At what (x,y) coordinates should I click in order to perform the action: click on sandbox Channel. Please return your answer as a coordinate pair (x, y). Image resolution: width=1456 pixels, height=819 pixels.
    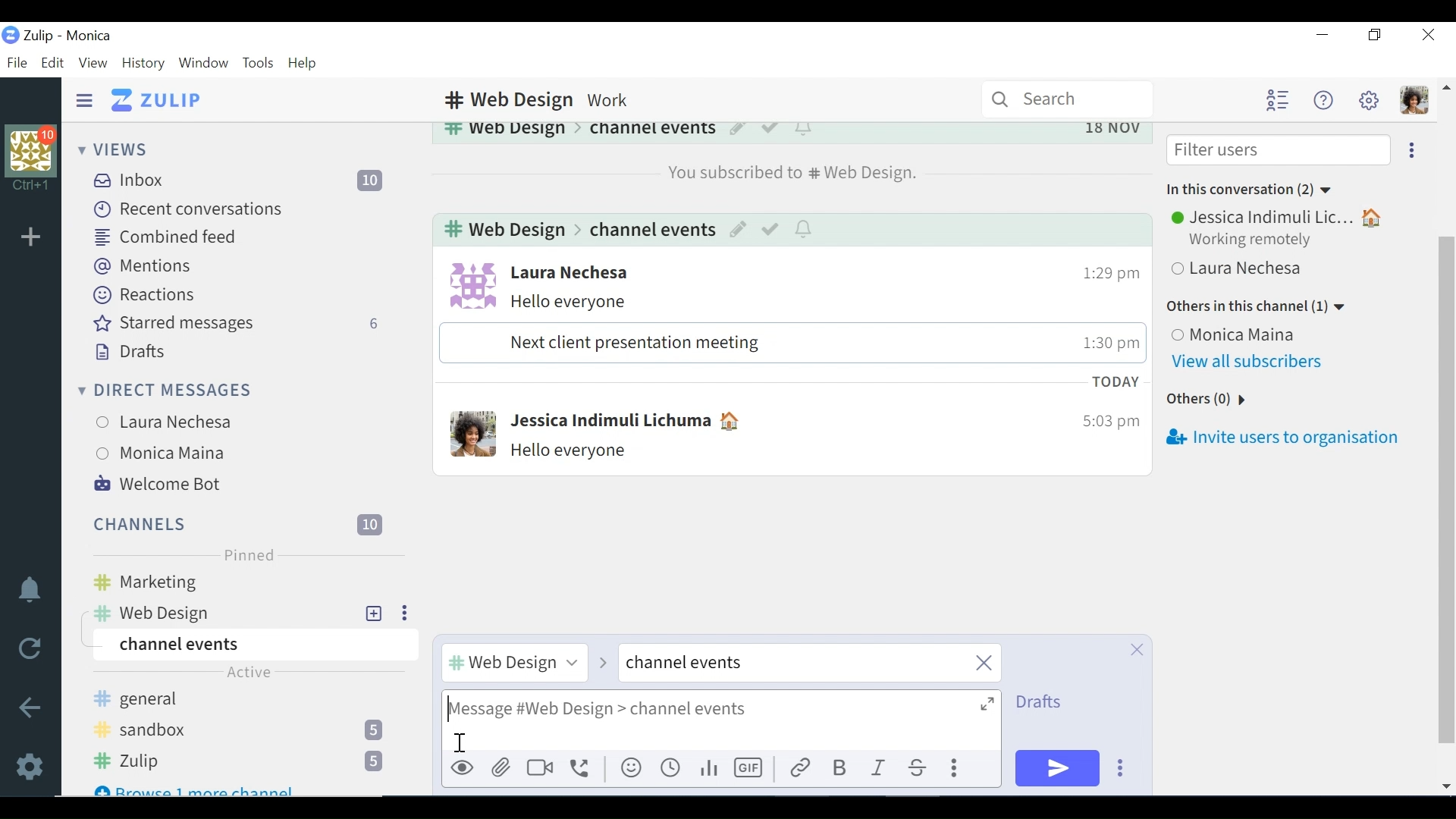
    Looking at the image, I should click on (245, 732).